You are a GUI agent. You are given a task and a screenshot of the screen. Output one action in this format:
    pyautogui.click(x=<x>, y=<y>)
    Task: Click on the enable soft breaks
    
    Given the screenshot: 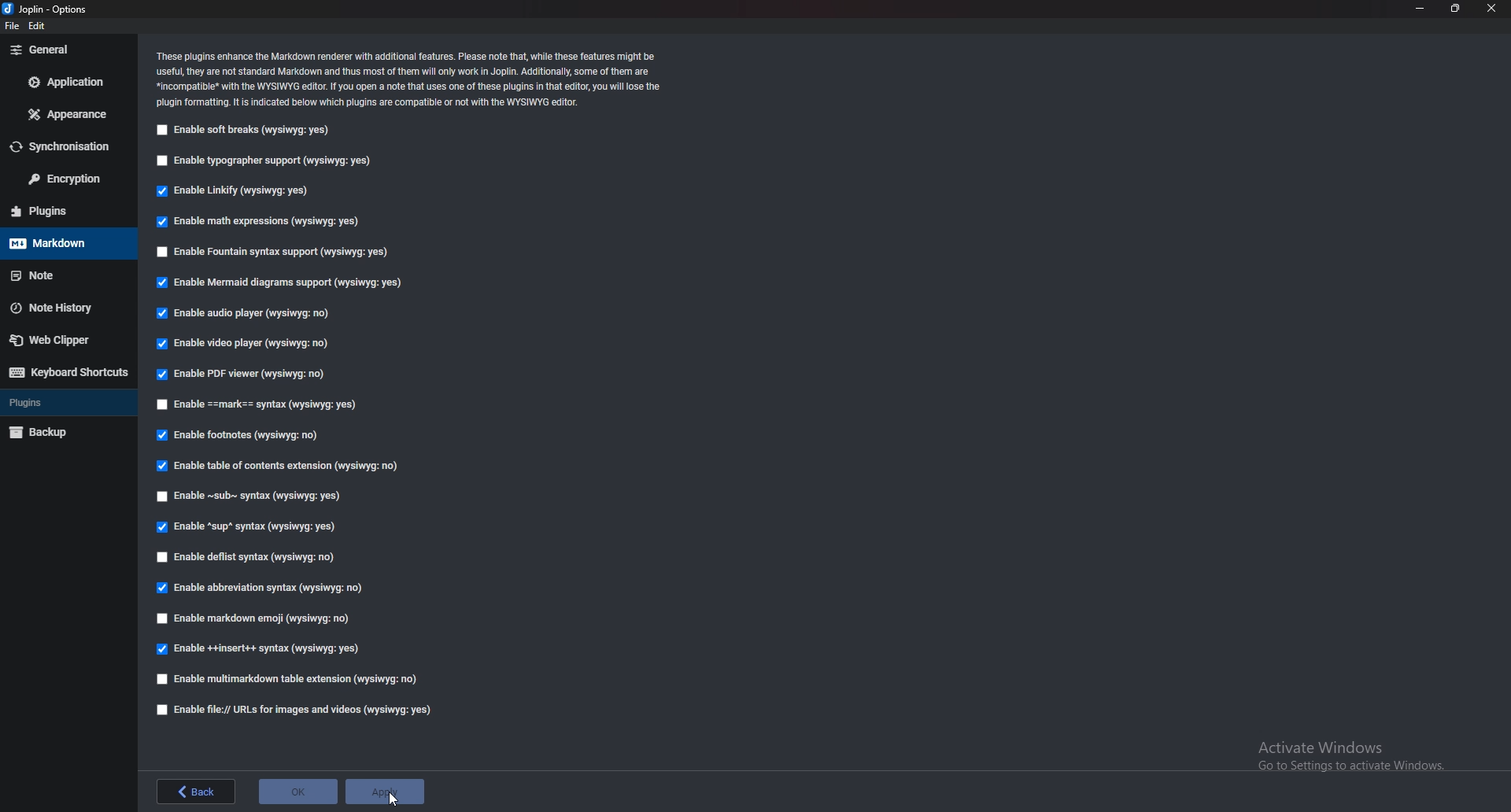 What is the action you would take?
    pyautogui.click(x=246, y=131)
    